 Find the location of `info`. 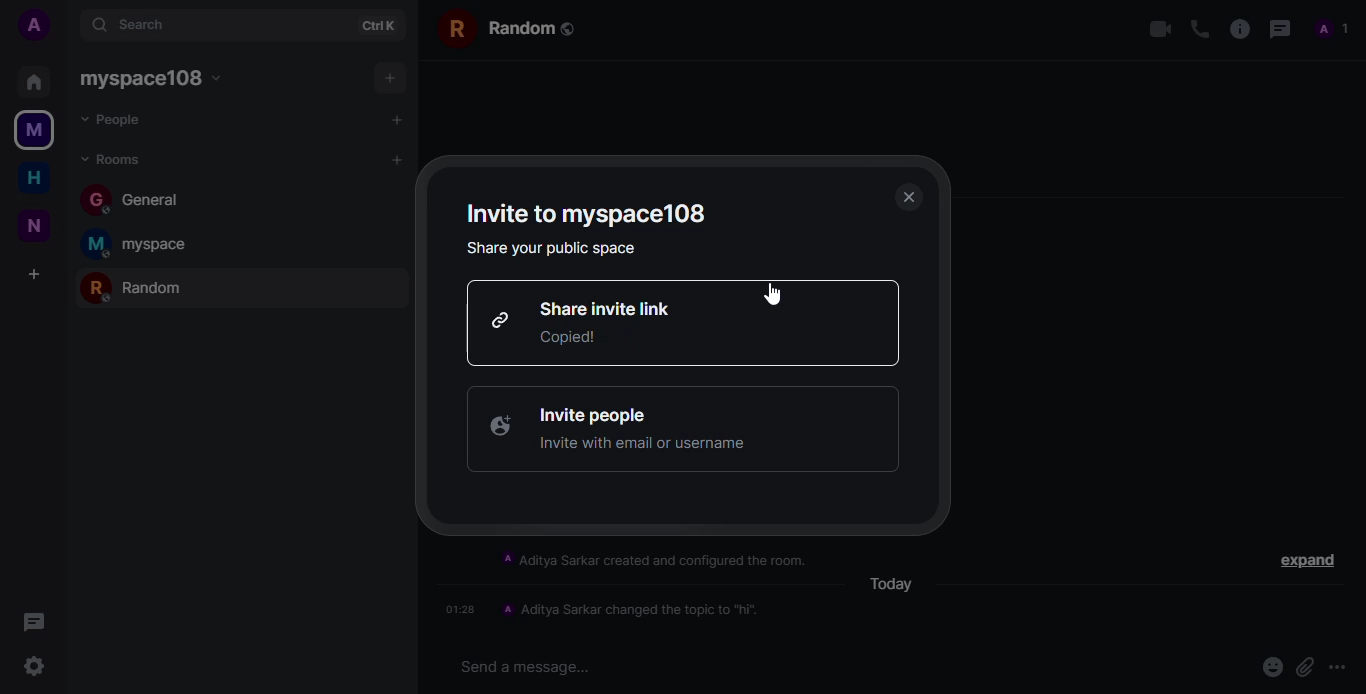

info is located at coordinates (1238, 30).